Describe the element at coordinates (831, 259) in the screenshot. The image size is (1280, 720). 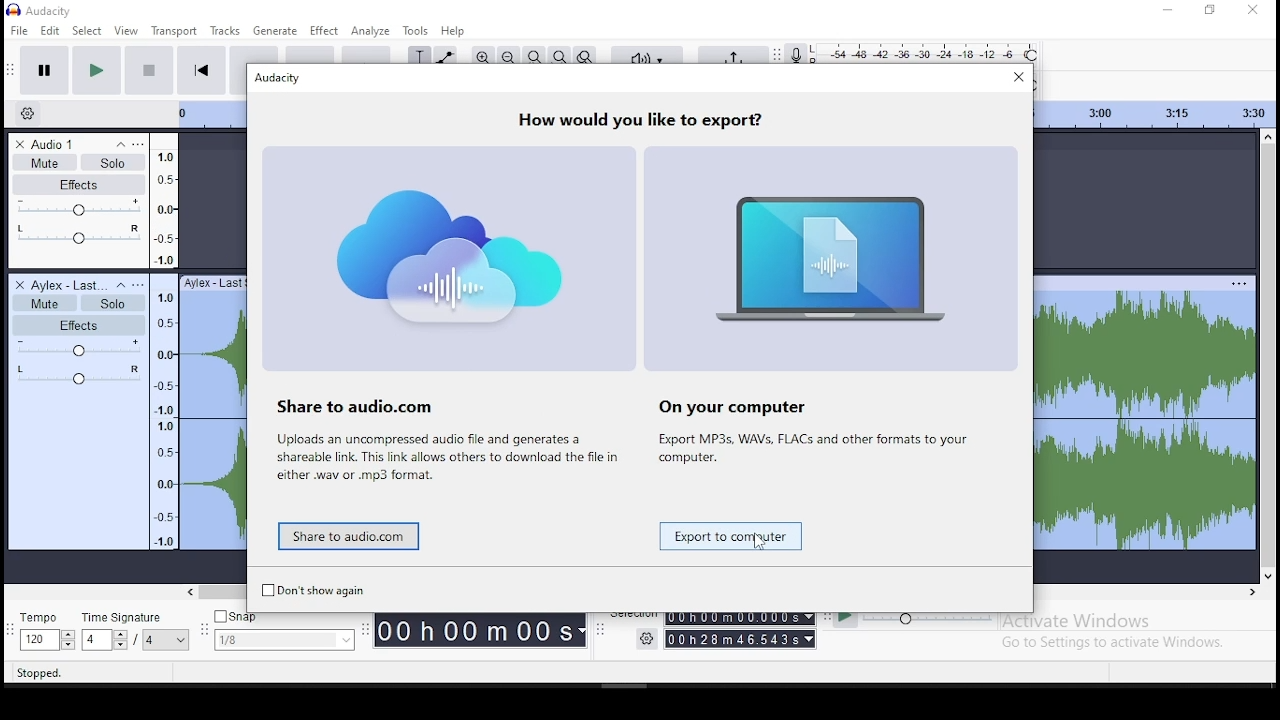
I see `image` at that location.